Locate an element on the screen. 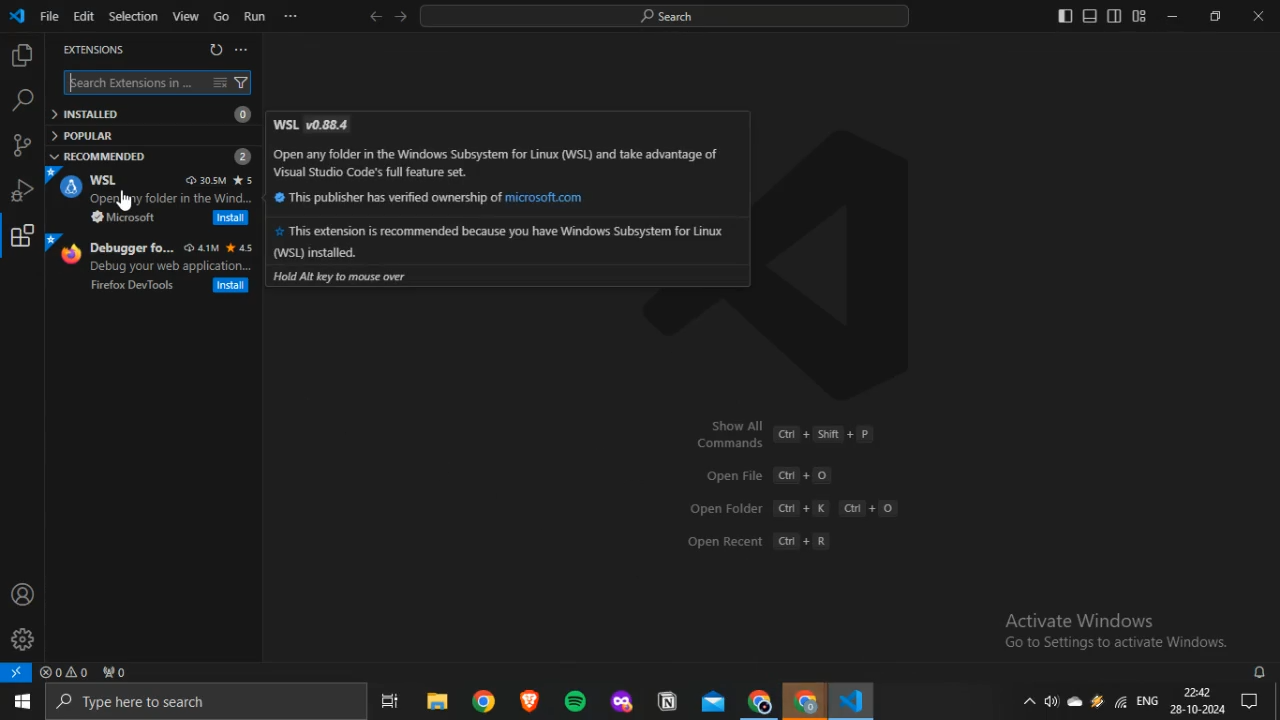 Image resolution: width=1280 pixels, height=720 pixels. Debug your web application... is located at coordinates (172, 266).